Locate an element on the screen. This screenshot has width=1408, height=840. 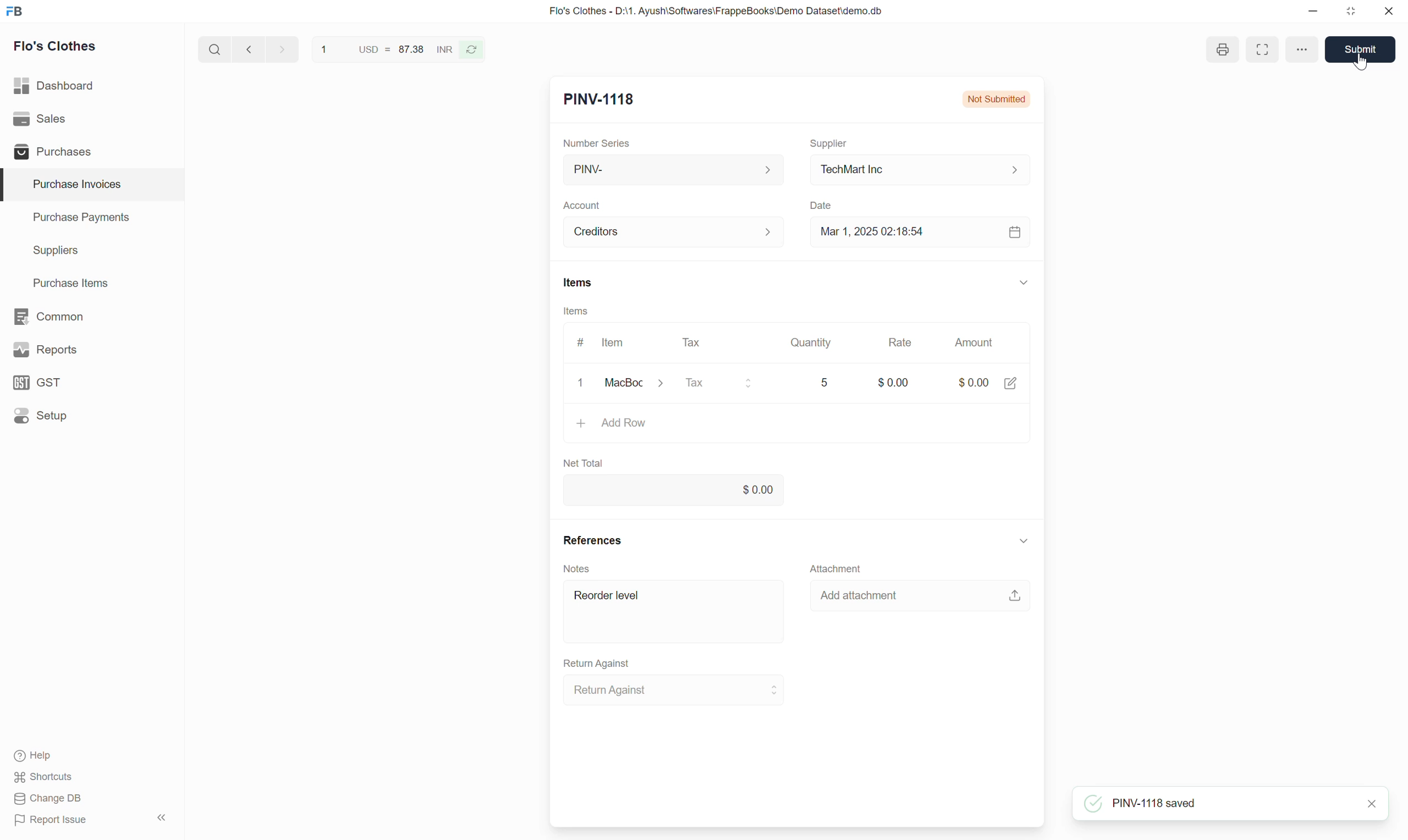
Rate is located at coordinates (900, 342).